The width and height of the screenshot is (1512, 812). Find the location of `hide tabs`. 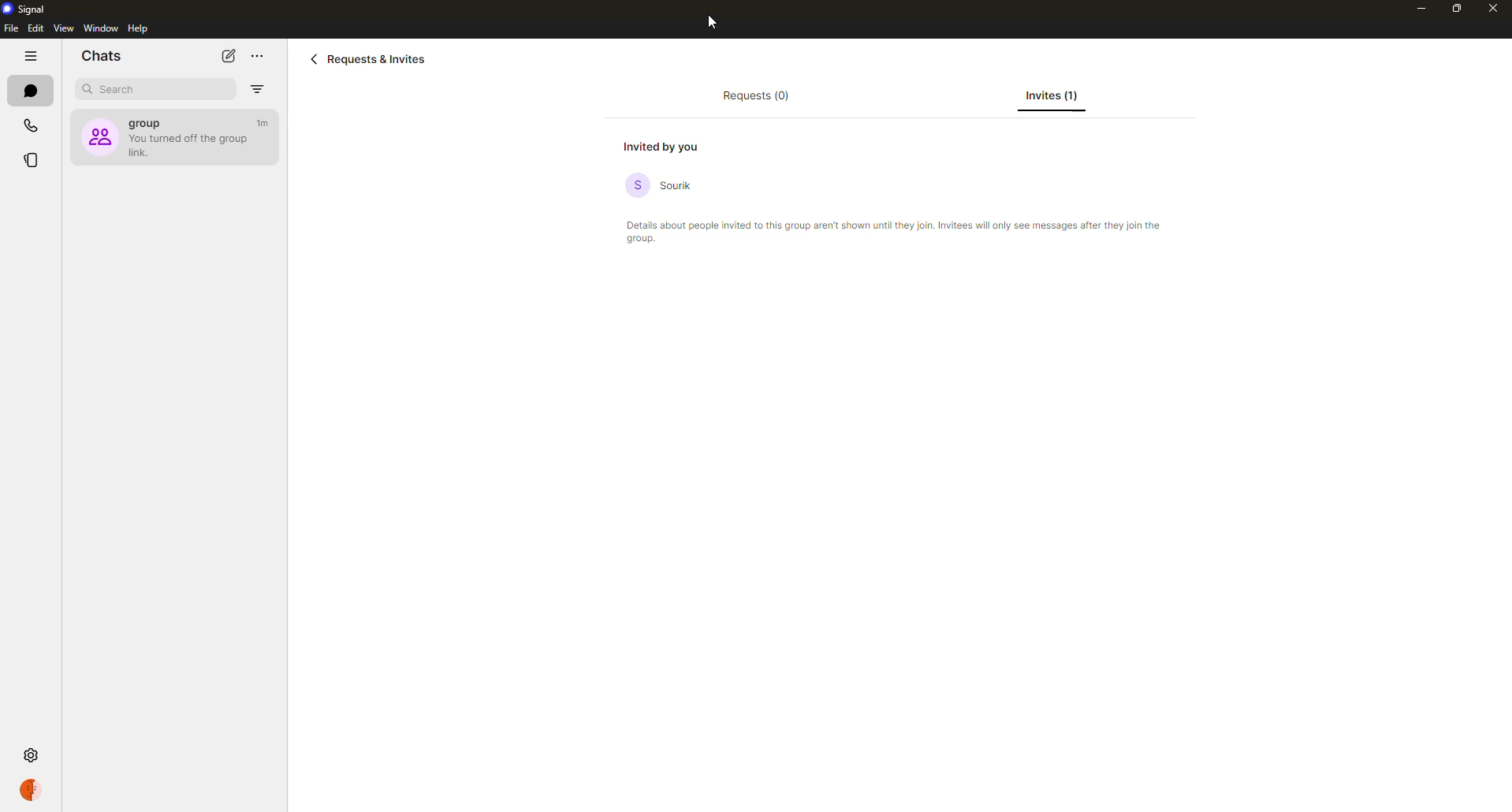

hide tabs is located at coordinates (28, 58).